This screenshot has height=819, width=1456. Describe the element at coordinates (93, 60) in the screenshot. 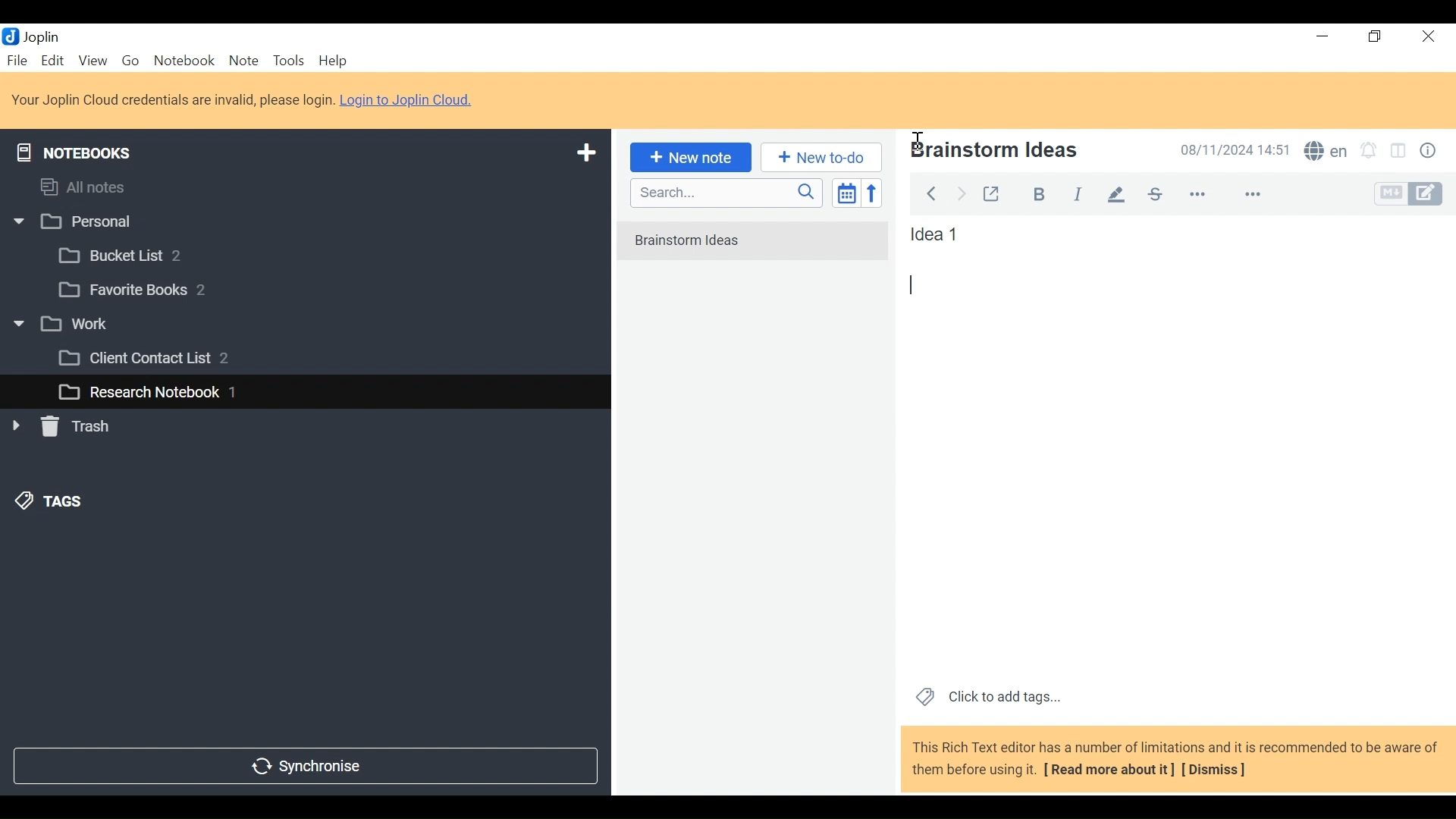

I see `View` at that location.